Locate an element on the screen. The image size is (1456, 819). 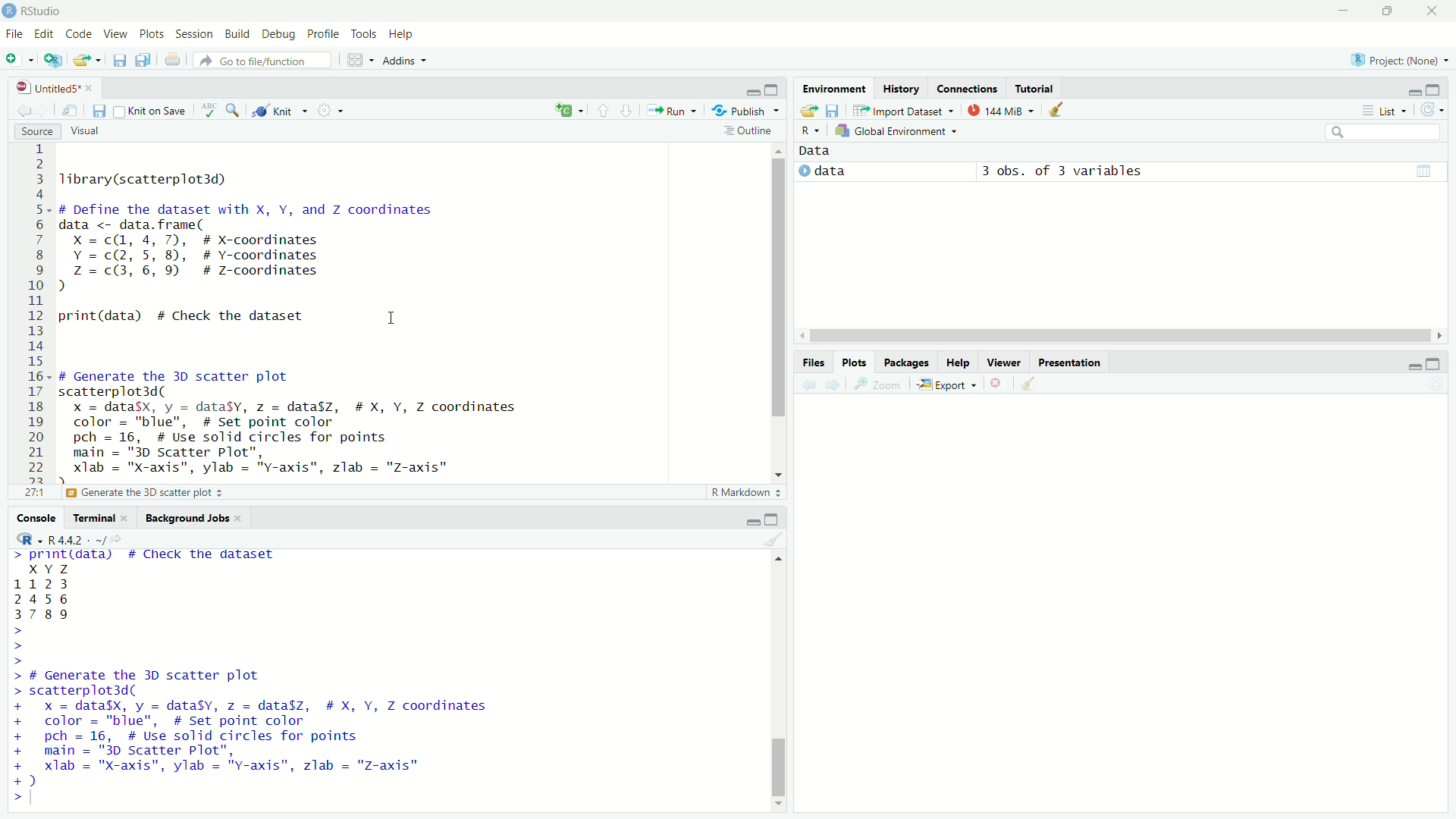
move bottom is located at coordinates (778, 804).